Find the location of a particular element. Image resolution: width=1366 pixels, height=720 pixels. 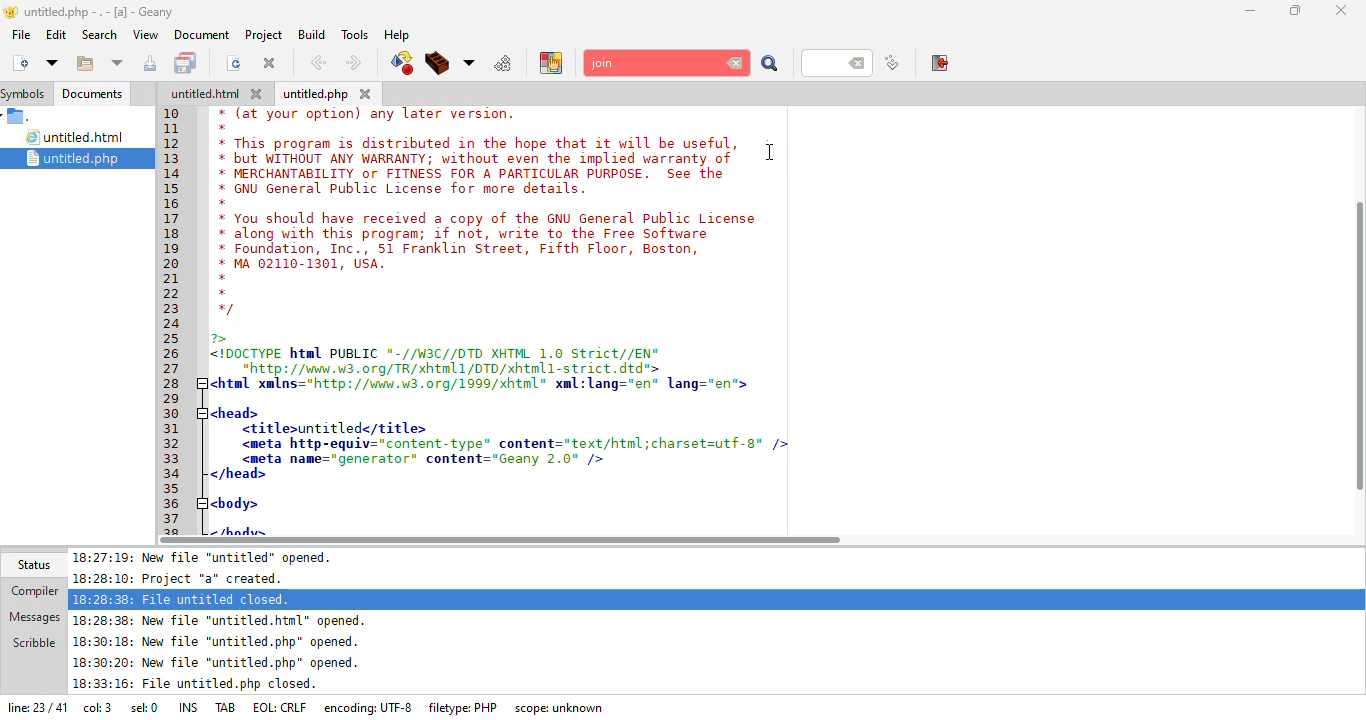

24 is located at coordinates (173, 325).